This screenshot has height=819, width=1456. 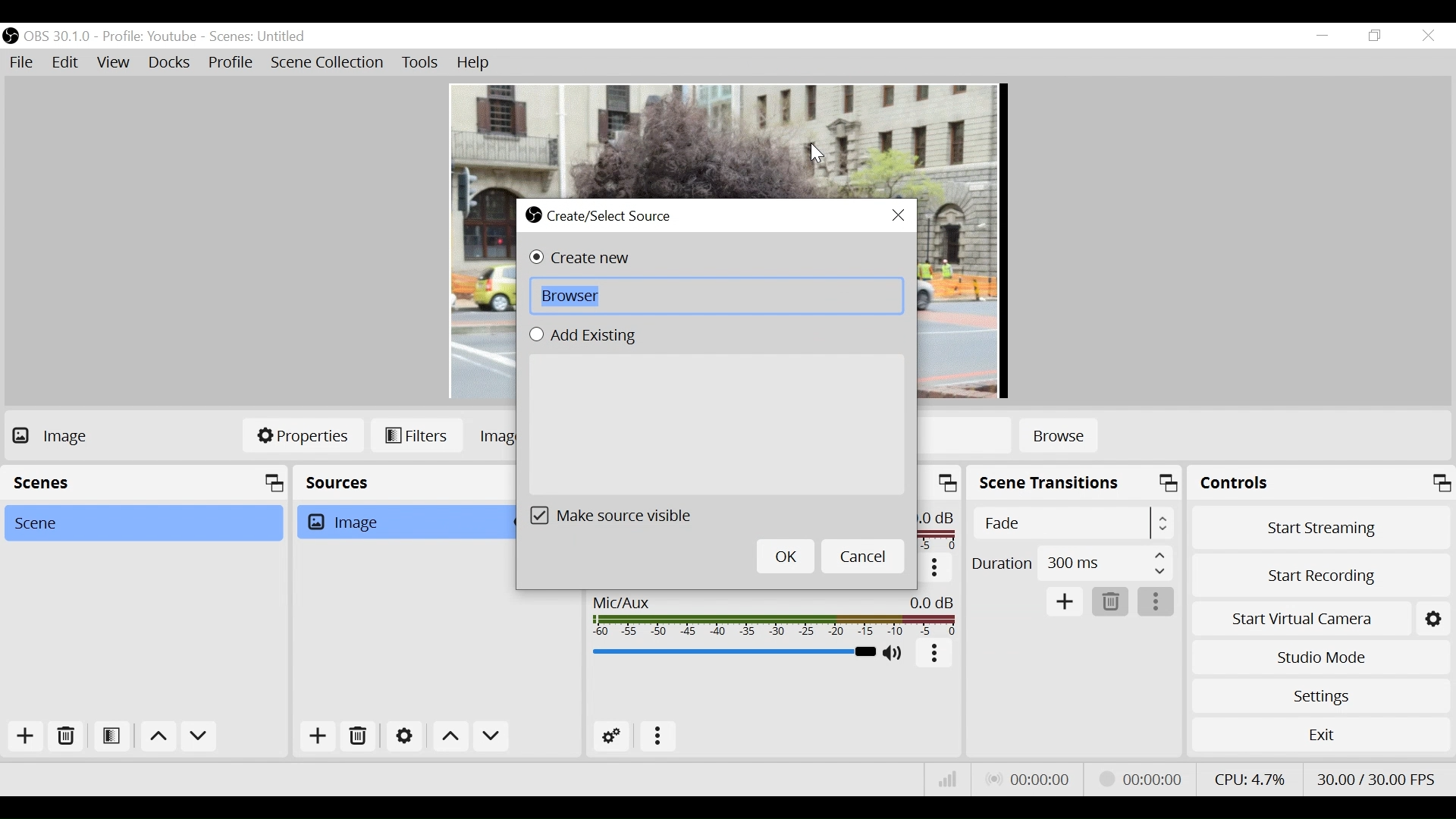 I want to click on Add, so click(x=31, y=737).